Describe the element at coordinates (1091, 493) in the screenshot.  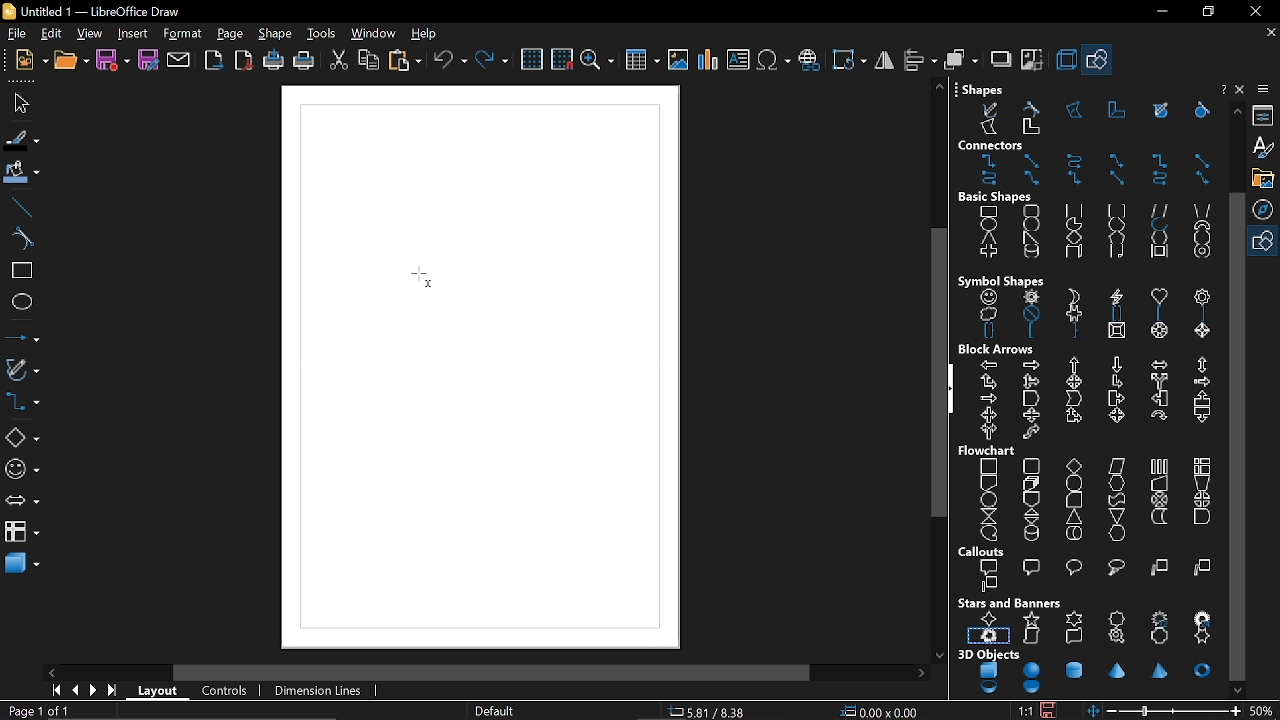
I see `flowchart` at that location.